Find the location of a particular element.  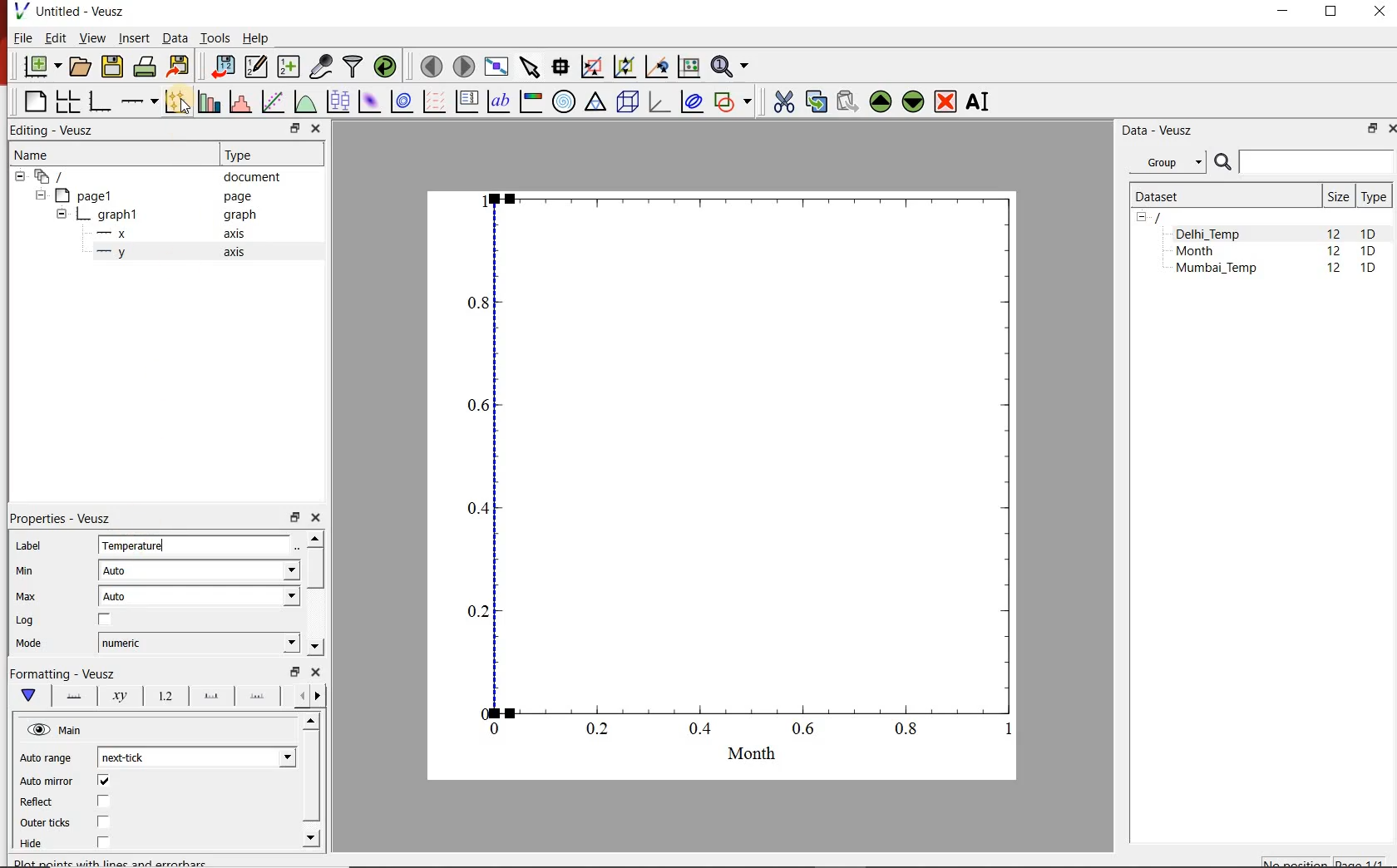

scrollbar is located at coordinates (314, 594).